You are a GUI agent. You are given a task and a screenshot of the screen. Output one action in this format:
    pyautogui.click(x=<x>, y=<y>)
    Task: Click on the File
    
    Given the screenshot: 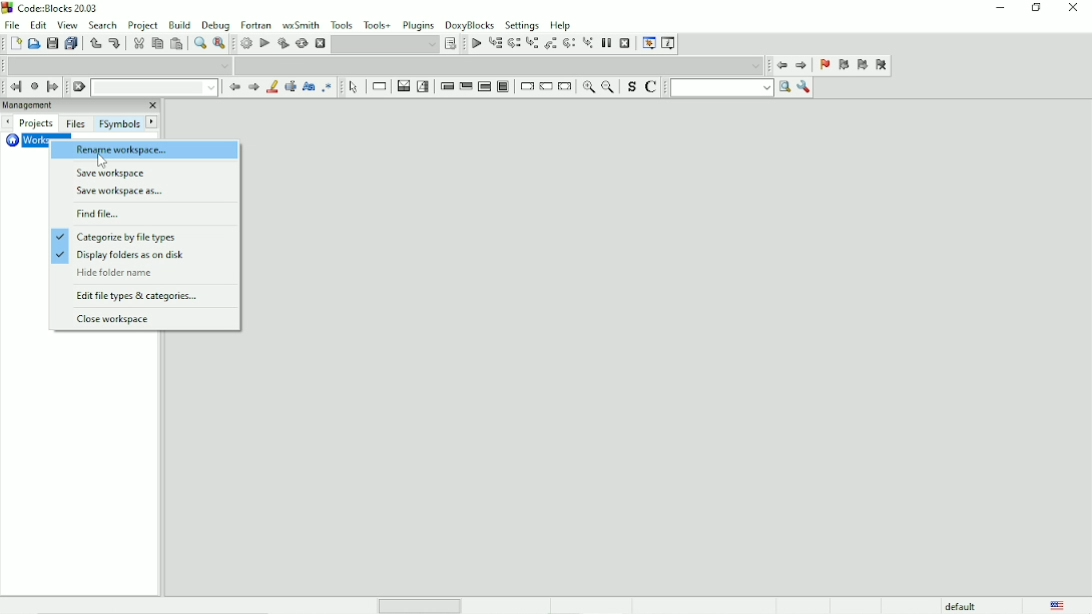 What is the action you would take?
    pyautogui.click(x=12, y=24)
    